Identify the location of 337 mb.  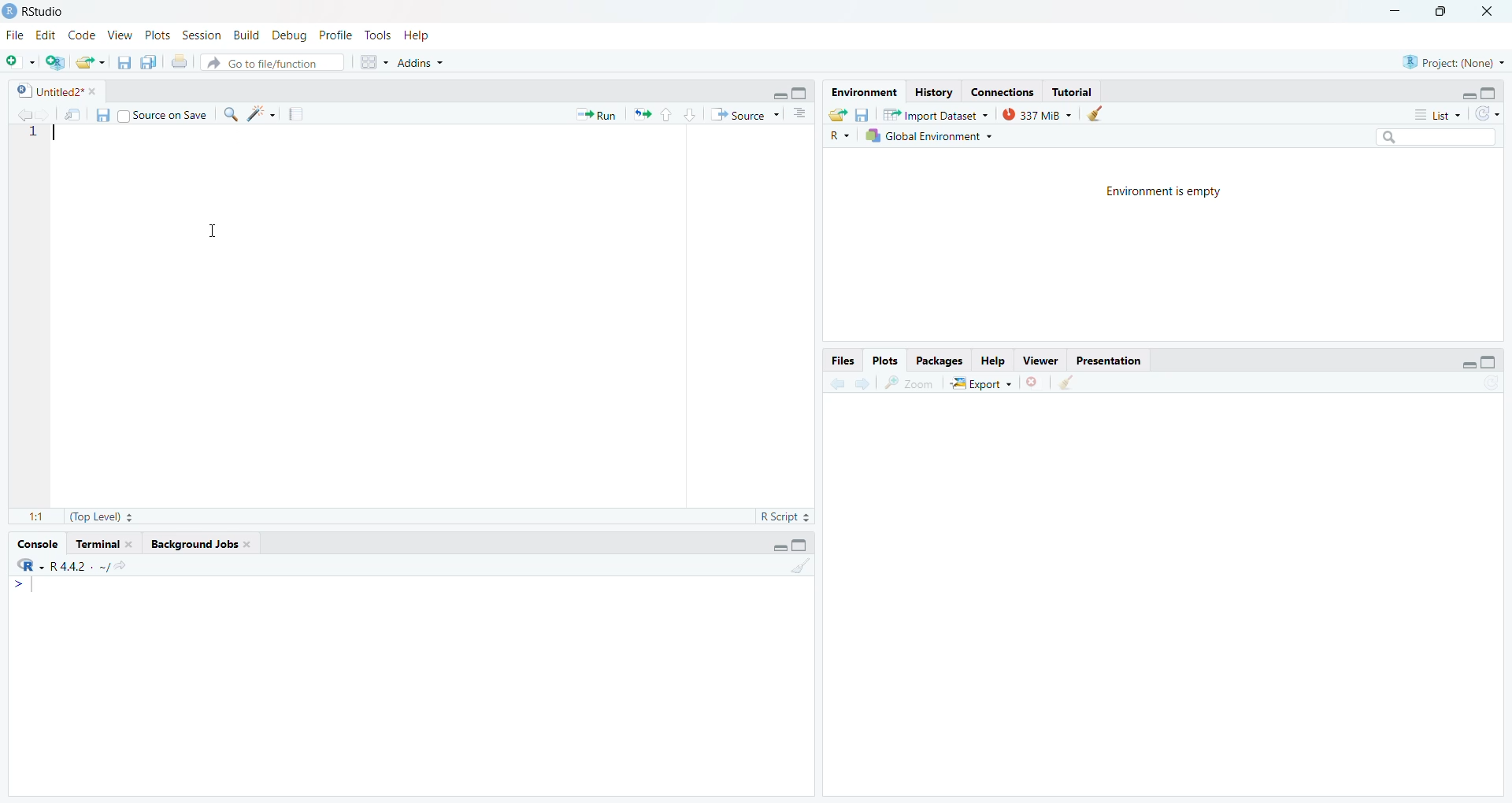
(1042, 116).